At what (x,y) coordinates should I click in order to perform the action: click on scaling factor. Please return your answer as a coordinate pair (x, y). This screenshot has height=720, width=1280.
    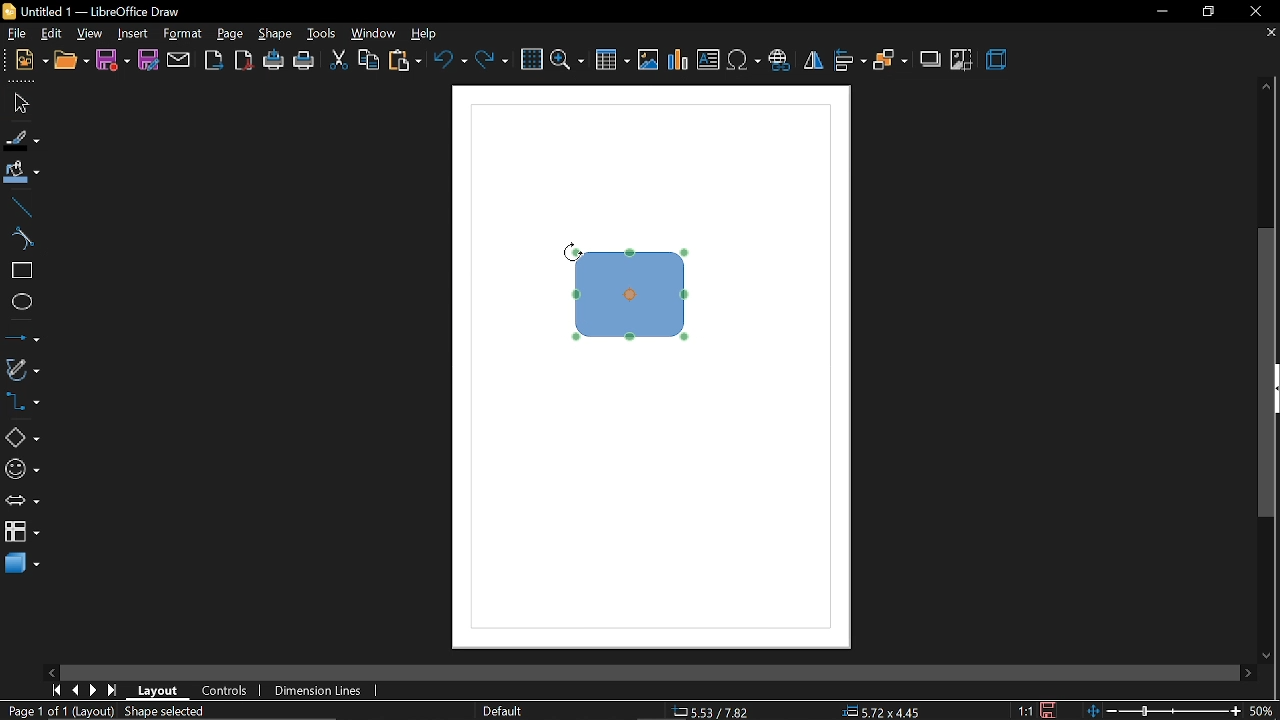
    Looking at the image, I should click on (1022, 710).